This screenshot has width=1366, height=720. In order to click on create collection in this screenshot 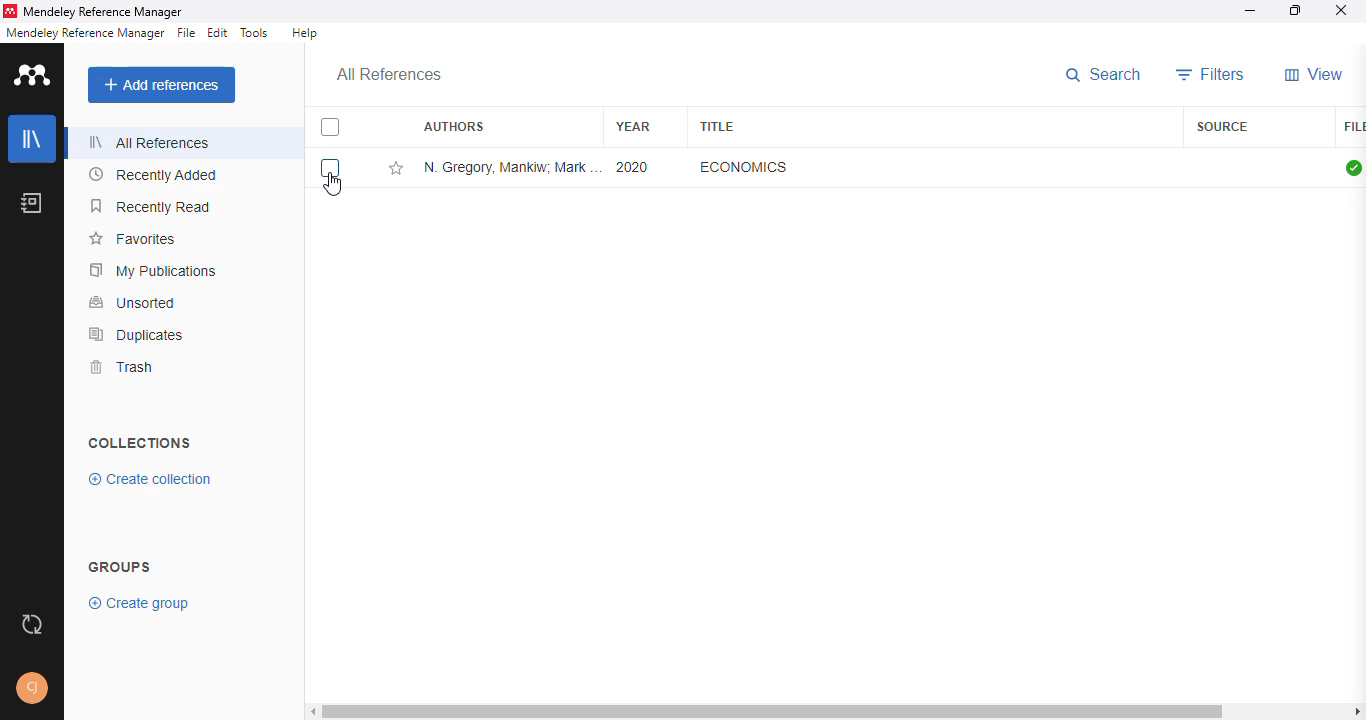, I will do `click(151, 479)`.